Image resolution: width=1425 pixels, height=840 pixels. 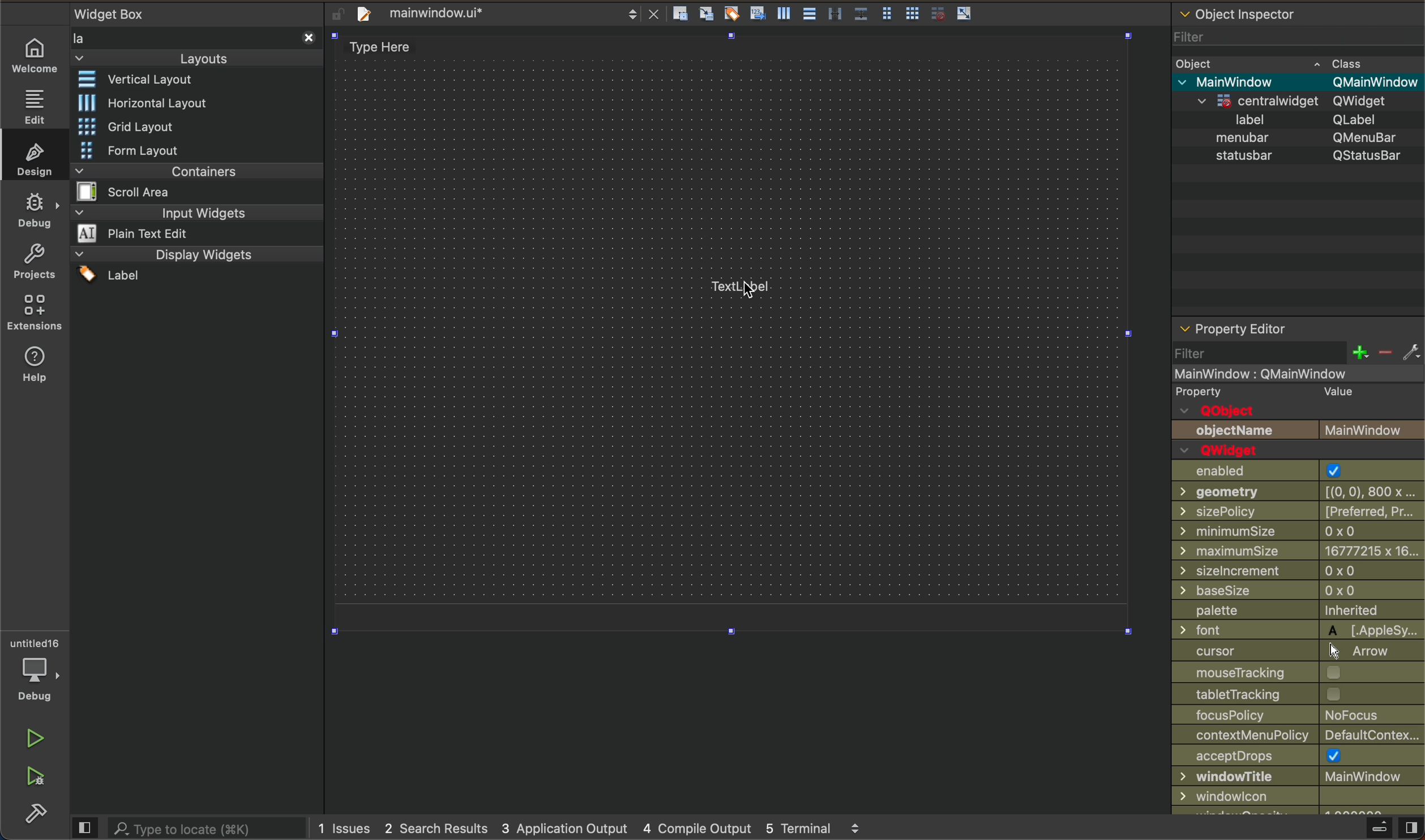 What do you see at coordinates (138, 149) in the screenshot?
I see `form layout` at bounding box center [138, 149].